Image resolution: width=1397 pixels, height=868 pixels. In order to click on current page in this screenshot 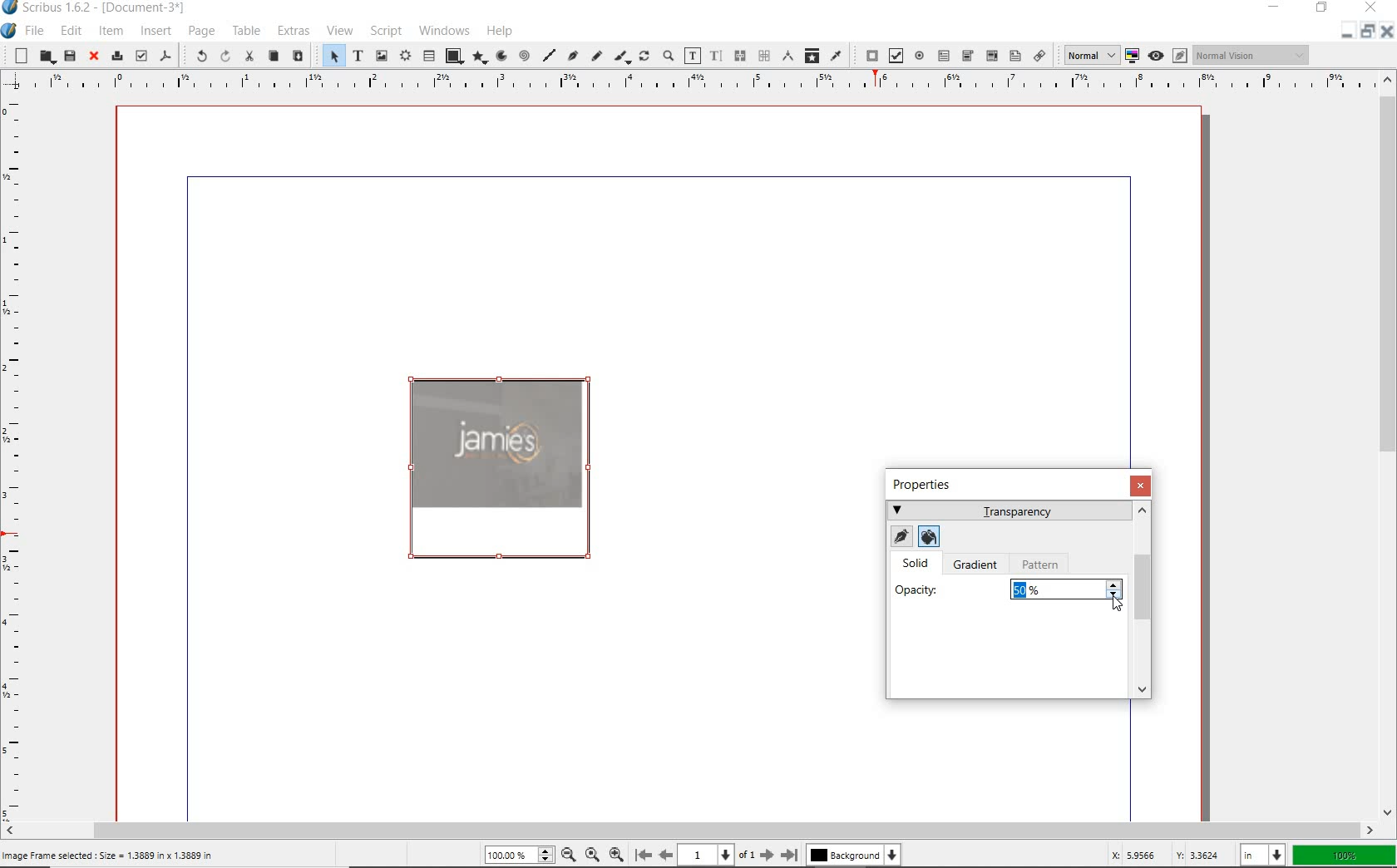, I will do `click(717, 856)`.